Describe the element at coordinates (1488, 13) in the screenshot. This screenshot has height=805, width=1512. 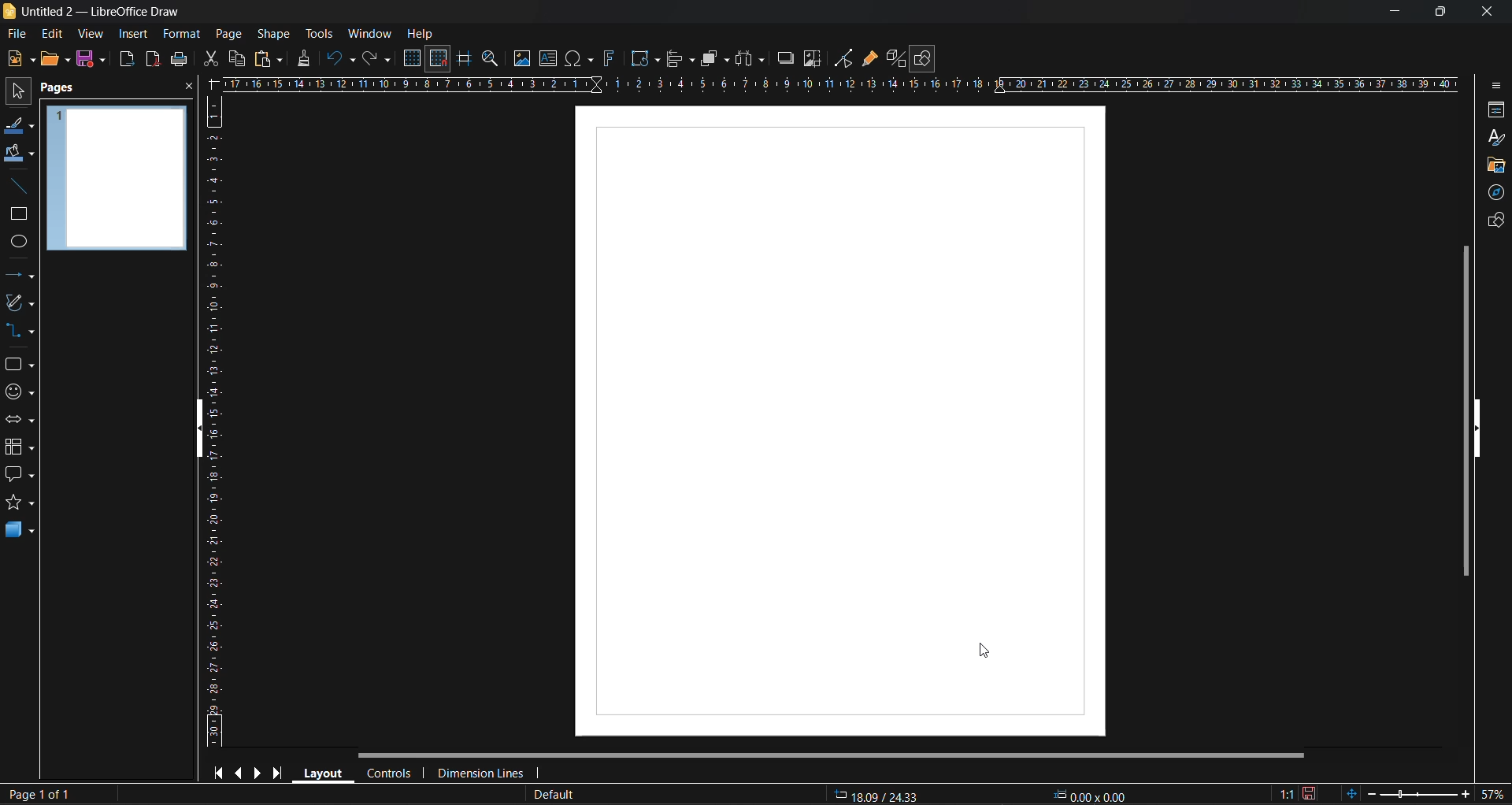
I see `close` at that location.